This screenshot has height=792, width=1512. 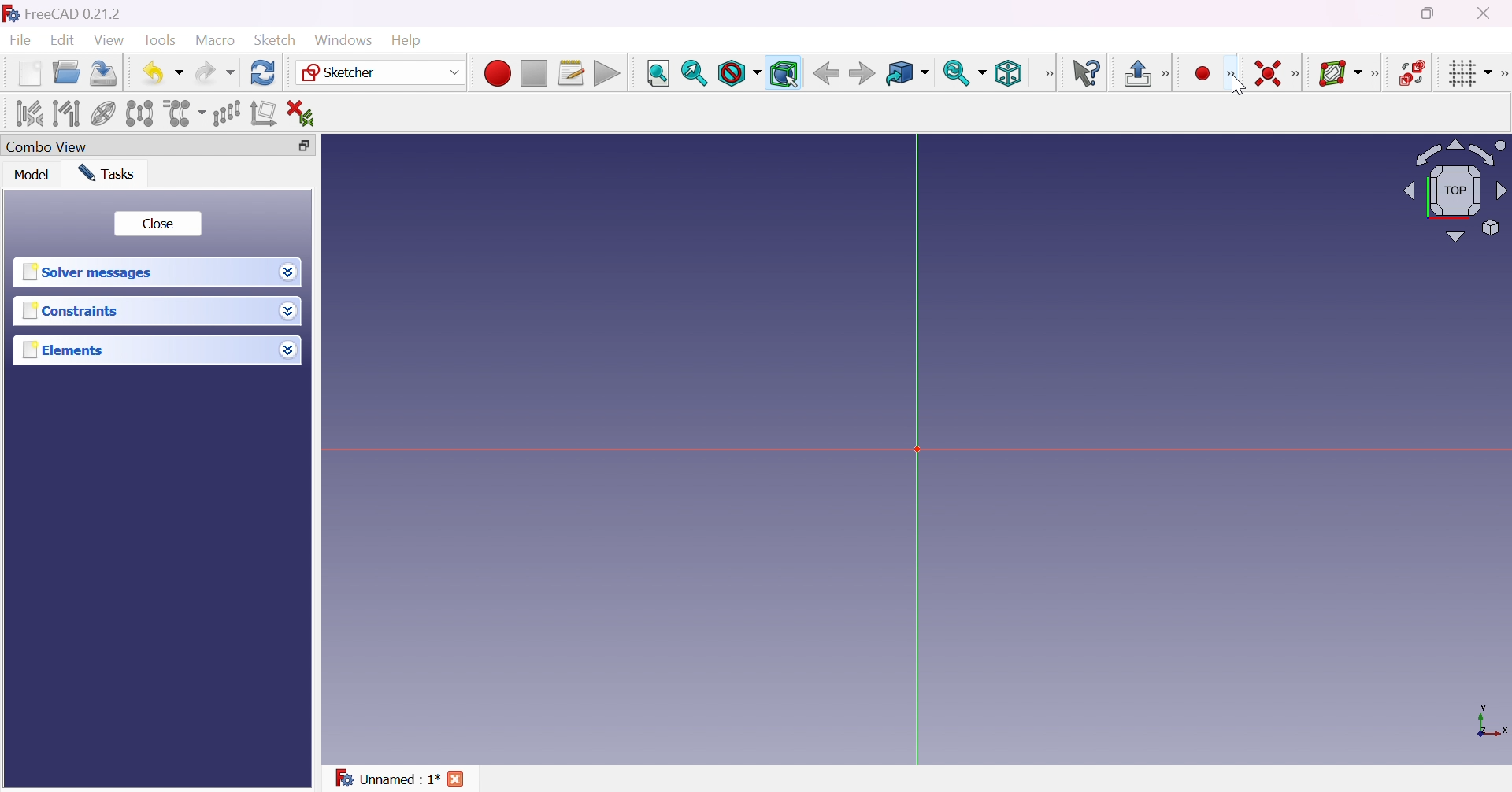 I want to click on Solver messsages, so click(x=91, y=272).